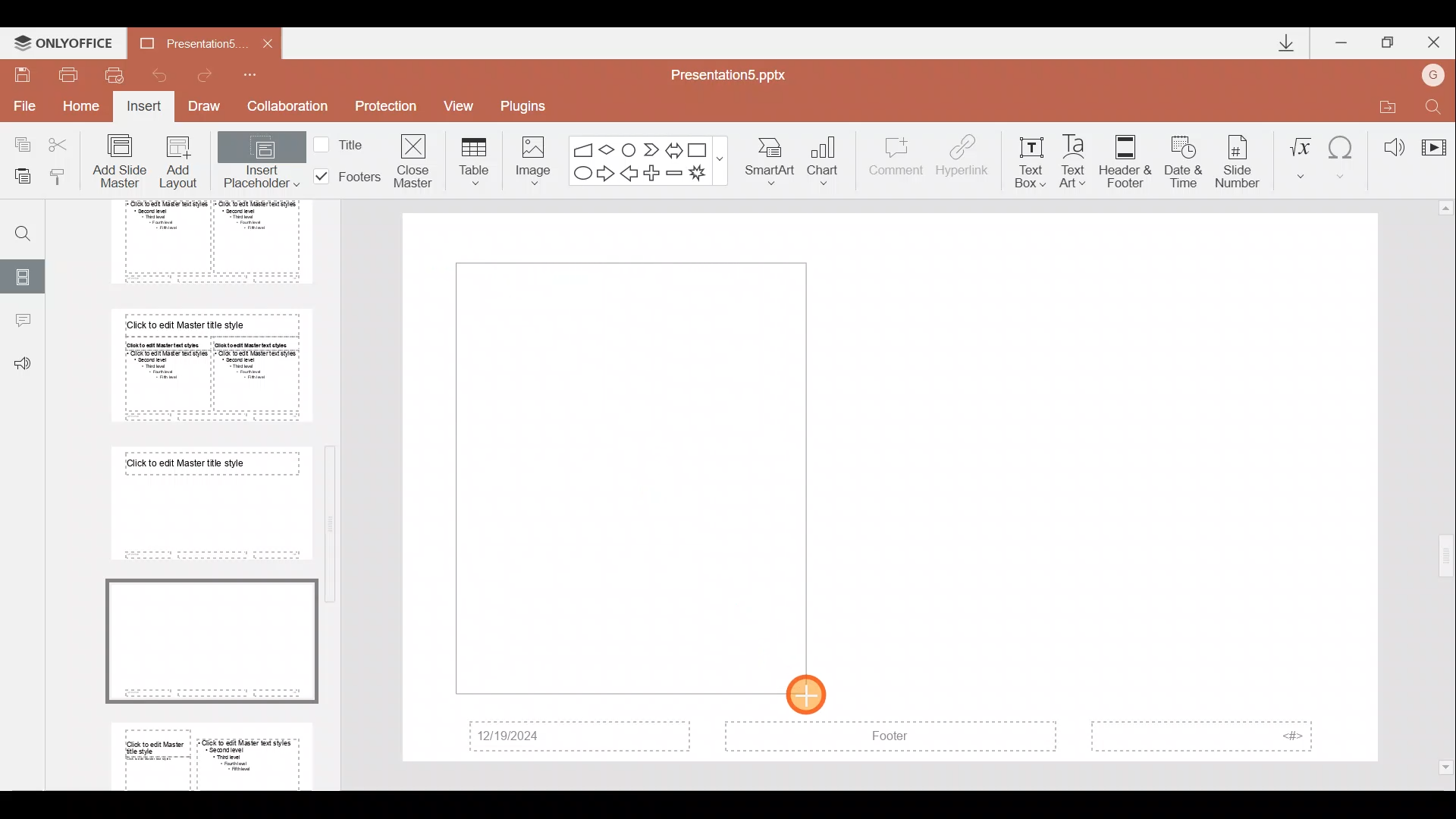 Image resolution: width=1456 pixels, height=819 pixels. What do you see at coordinates (215, 753) in the screenshot?
I see `Slide 9` at bounding box center [215, 753].